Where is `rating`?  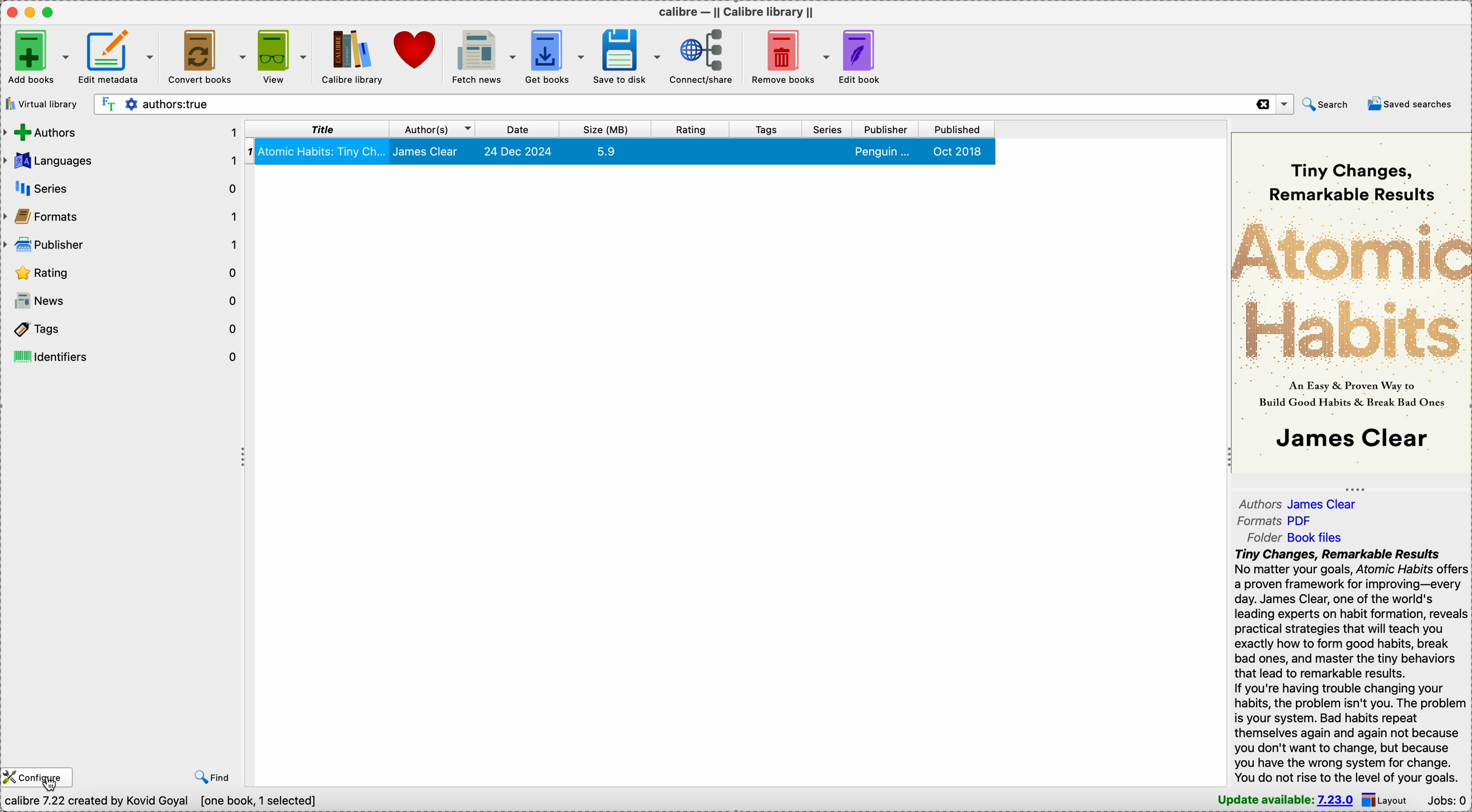 rating is located at coordinates (690, 129).